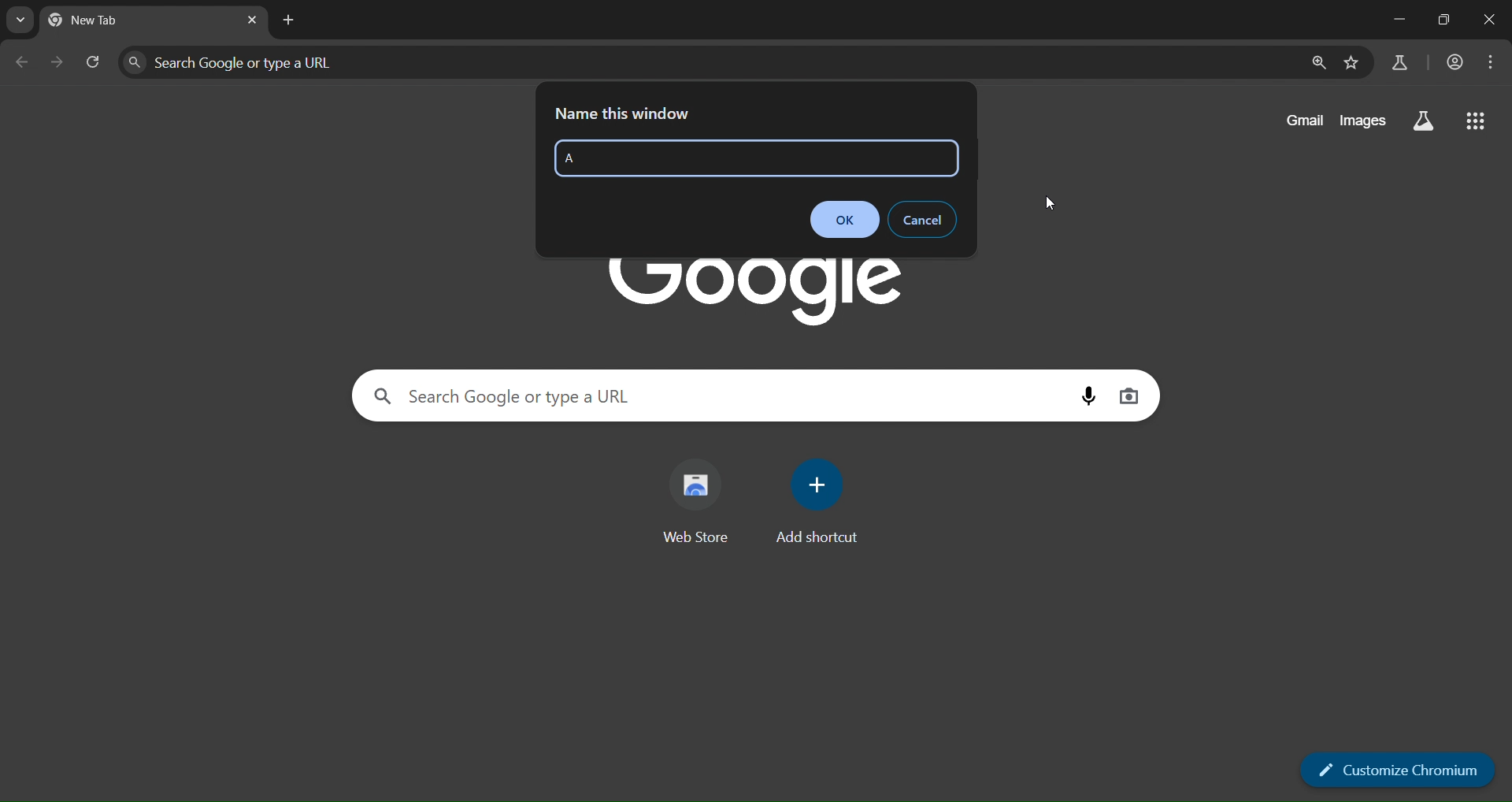 The image size is (1512, 802). I want to click on google apps, so click(1480, 121).